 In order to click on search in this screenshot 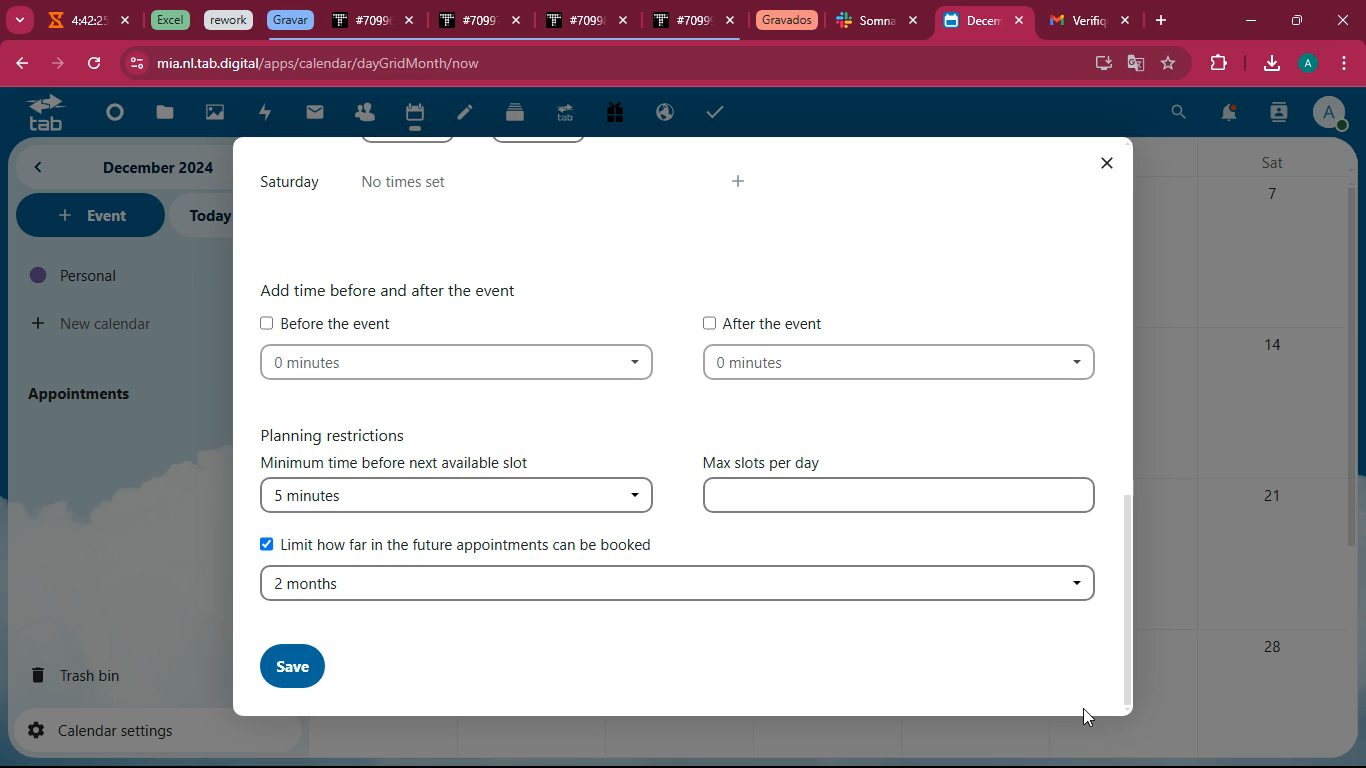, I will do `click(1179, 115)`.